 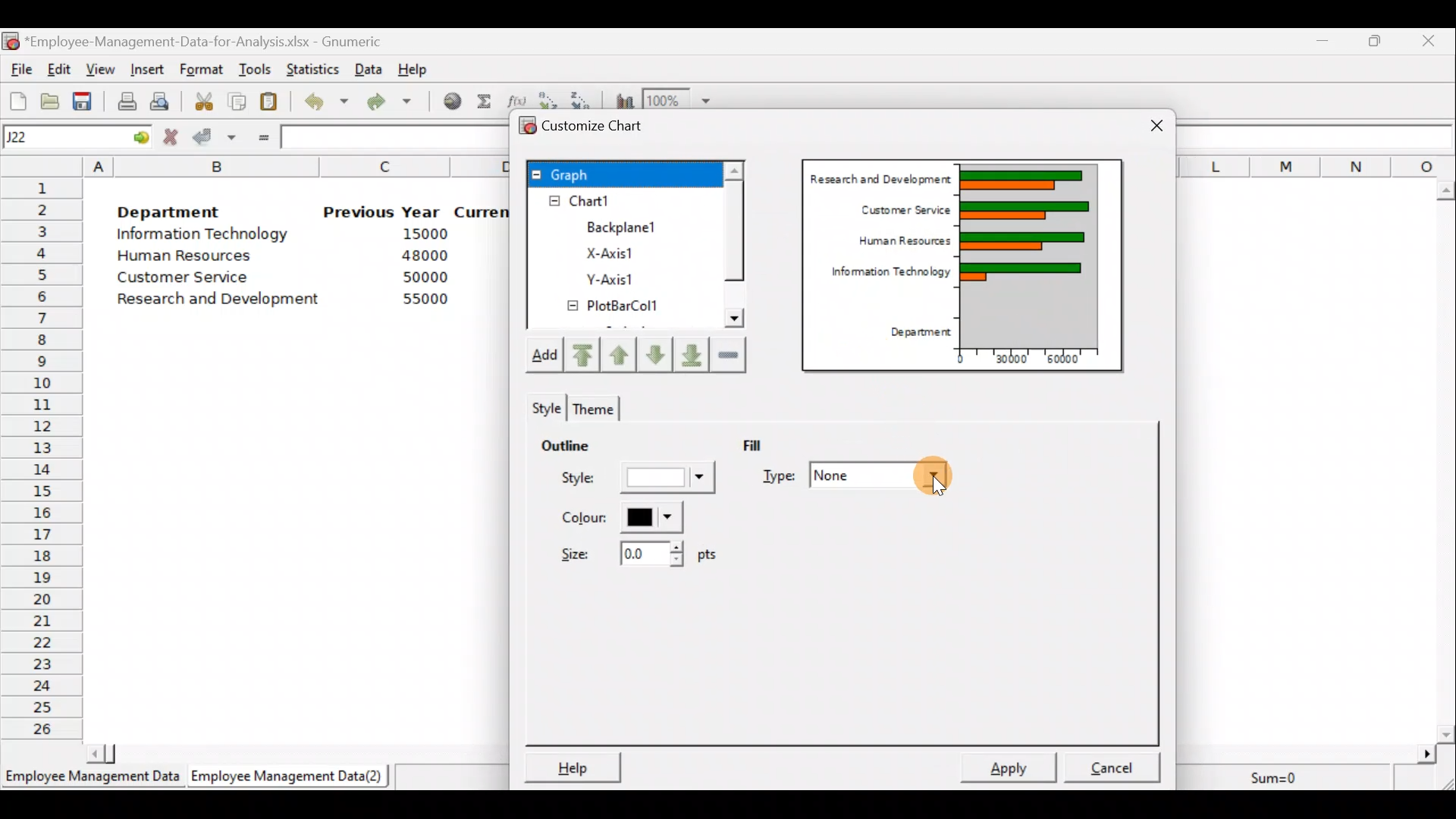 I want to click on Research and development, so click(x=219, y=297).